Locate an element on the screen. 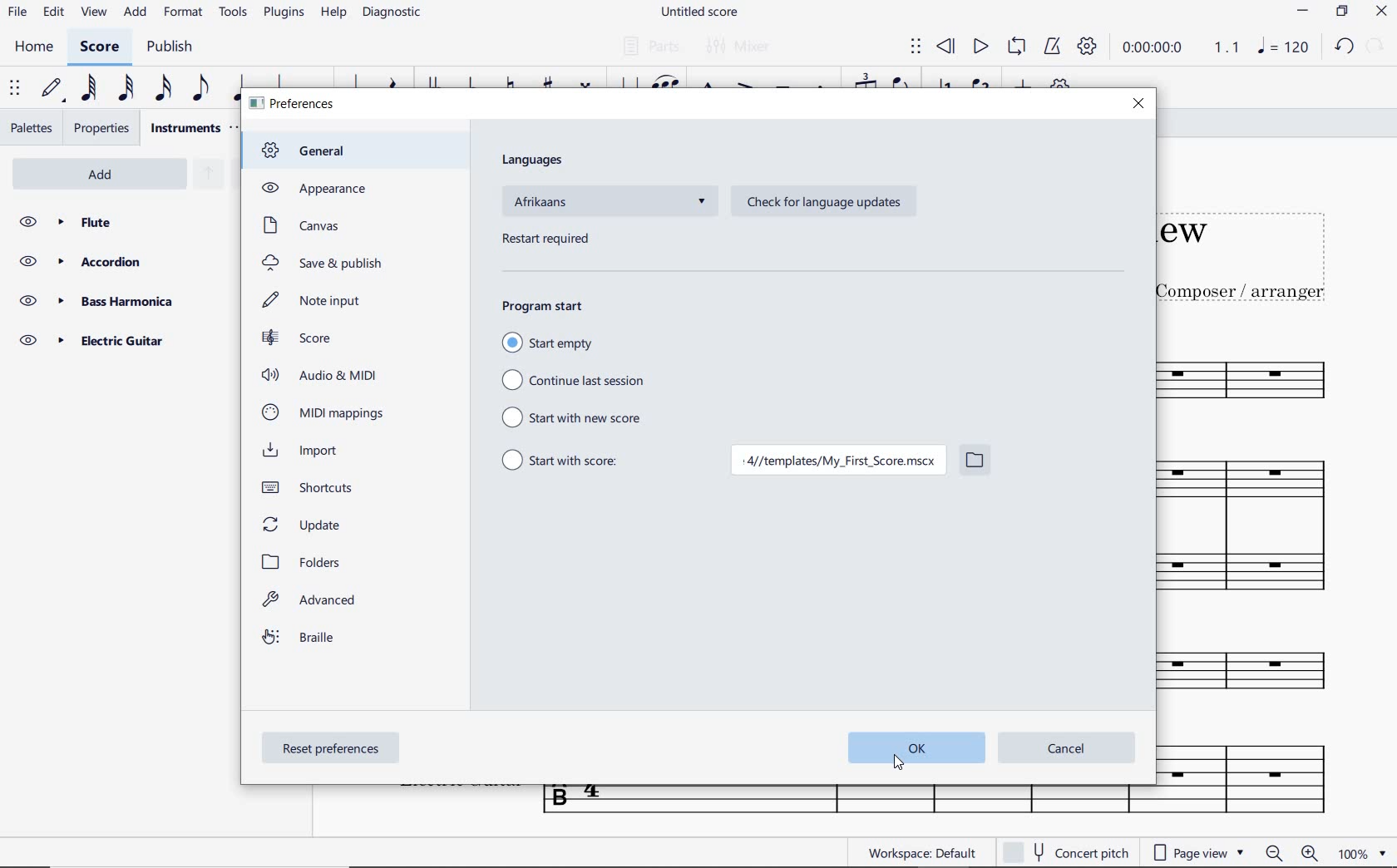 The width and height of the screenshot is (1397, 868). parts is located at coordinates (649, 47).